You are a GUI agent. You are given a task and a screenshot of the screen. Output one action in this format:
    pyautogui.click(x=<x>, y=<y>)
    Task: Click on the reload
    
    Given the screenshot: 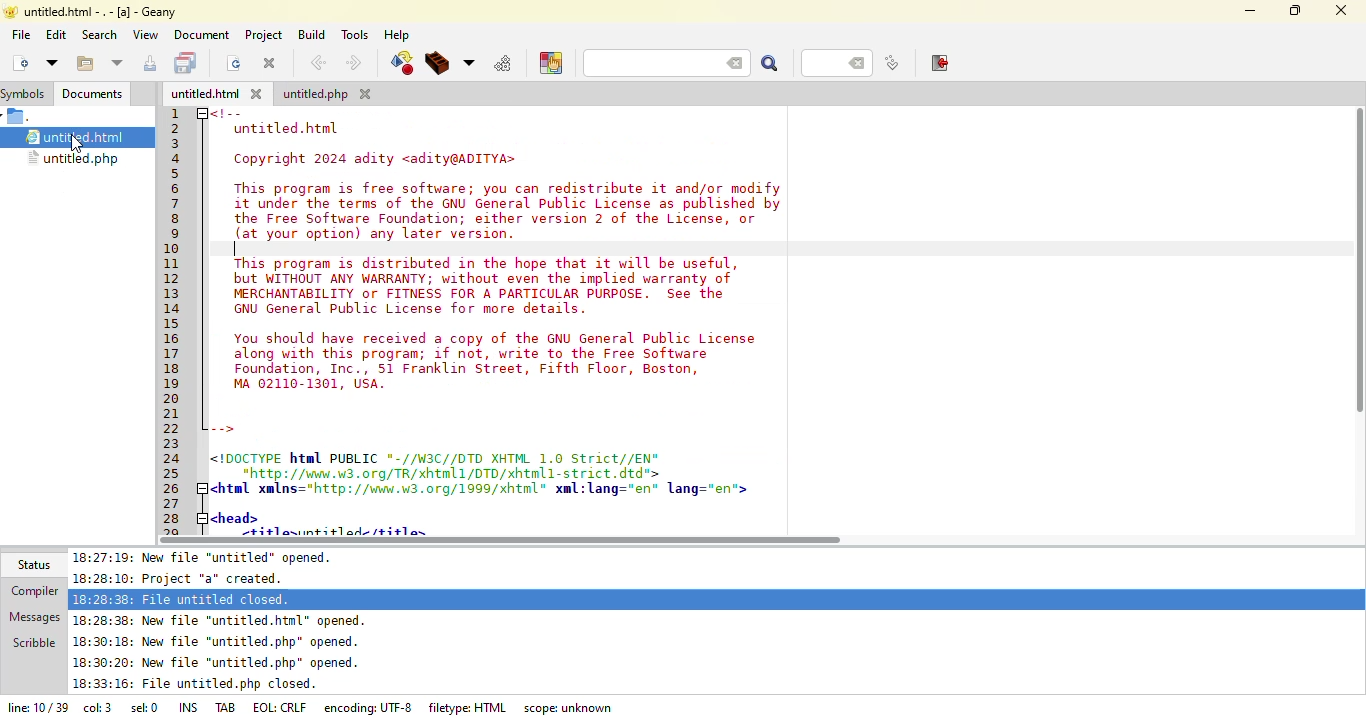 What is the action you would take?
    pyautogui.click(x=236, y=65)
    